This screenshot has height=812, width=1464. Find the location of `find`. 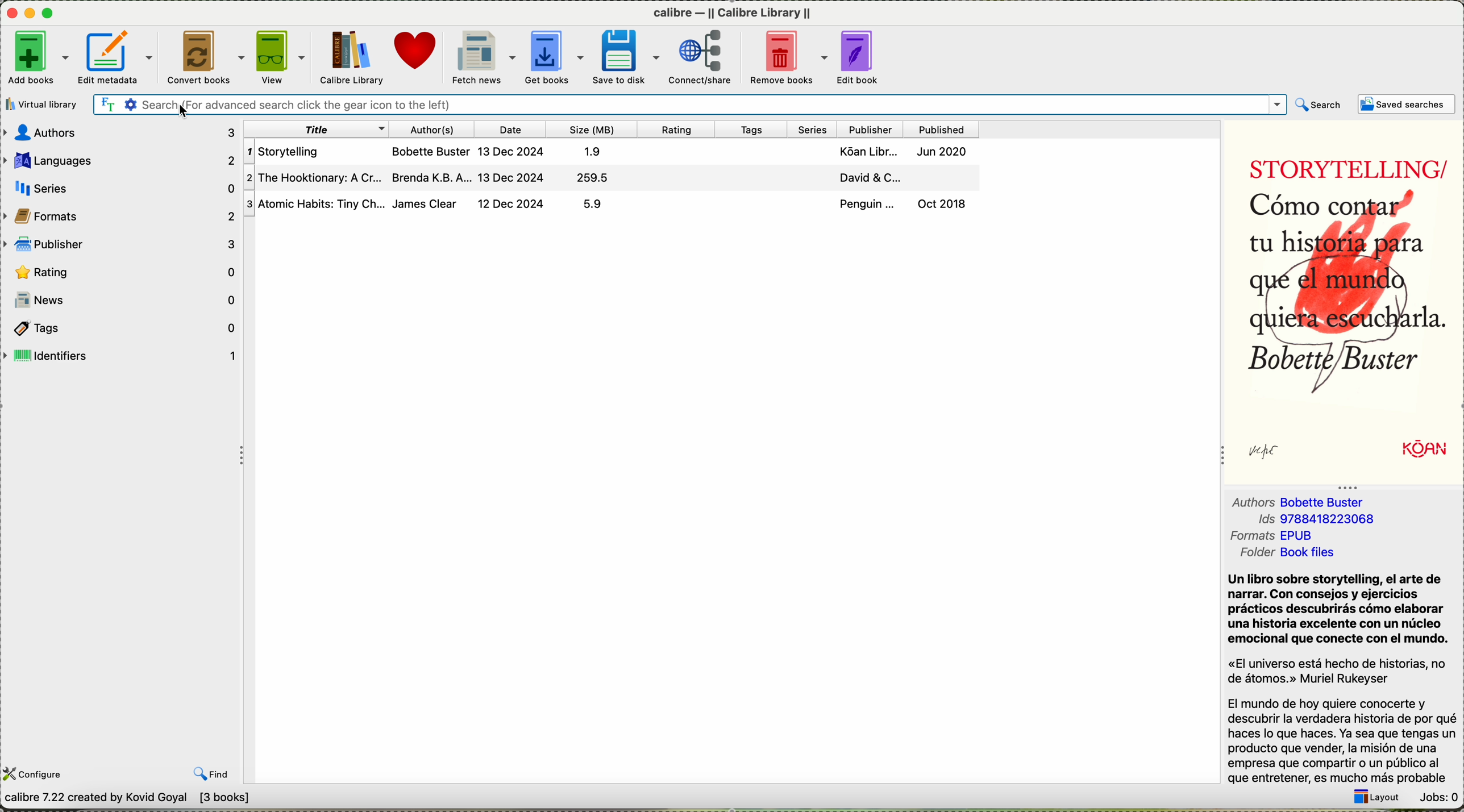

find is located at coordinates (212, 774).